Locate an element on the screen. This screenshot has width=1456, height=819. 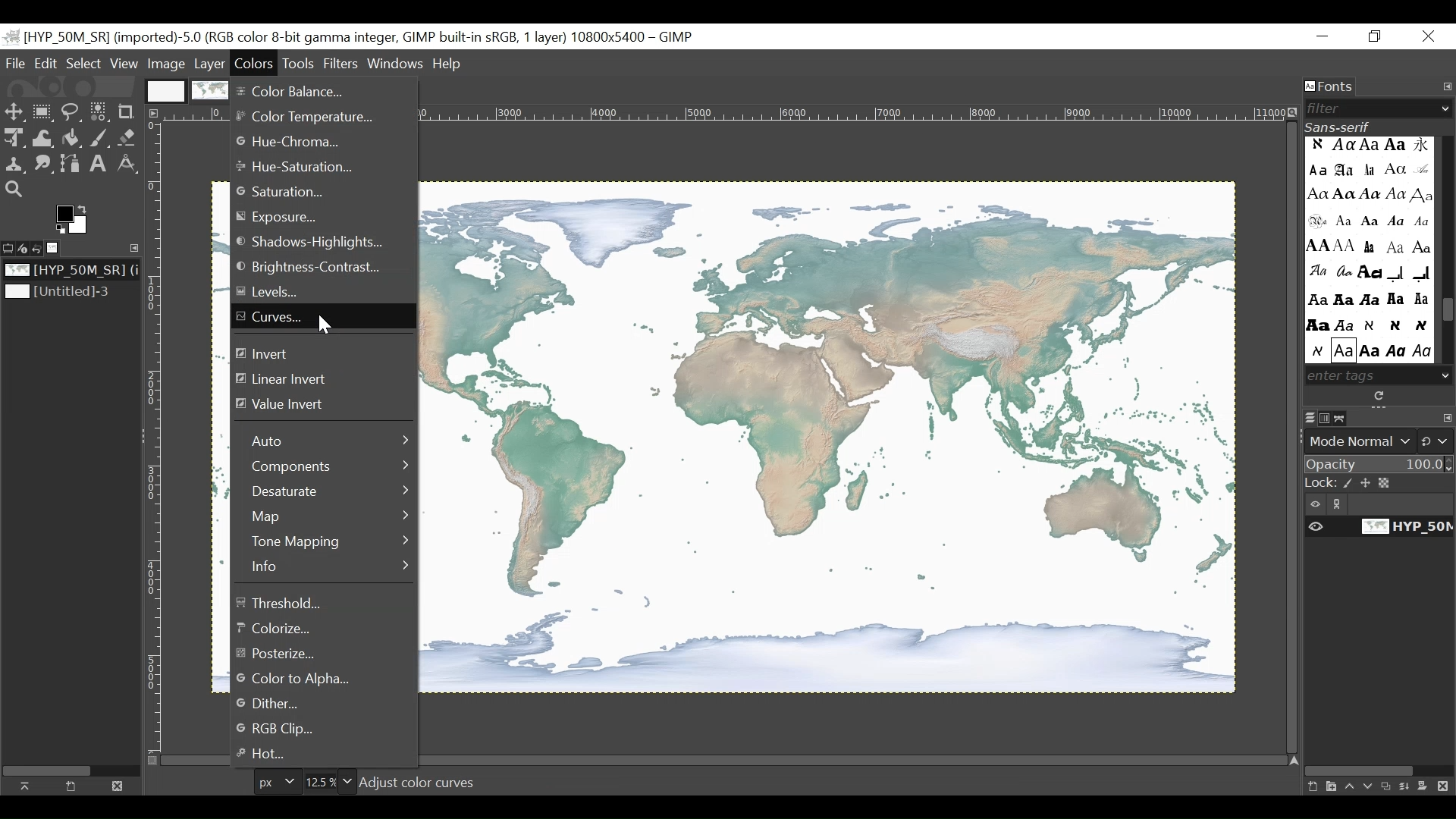
Active foreground/background is located at coordinates (75, 219).